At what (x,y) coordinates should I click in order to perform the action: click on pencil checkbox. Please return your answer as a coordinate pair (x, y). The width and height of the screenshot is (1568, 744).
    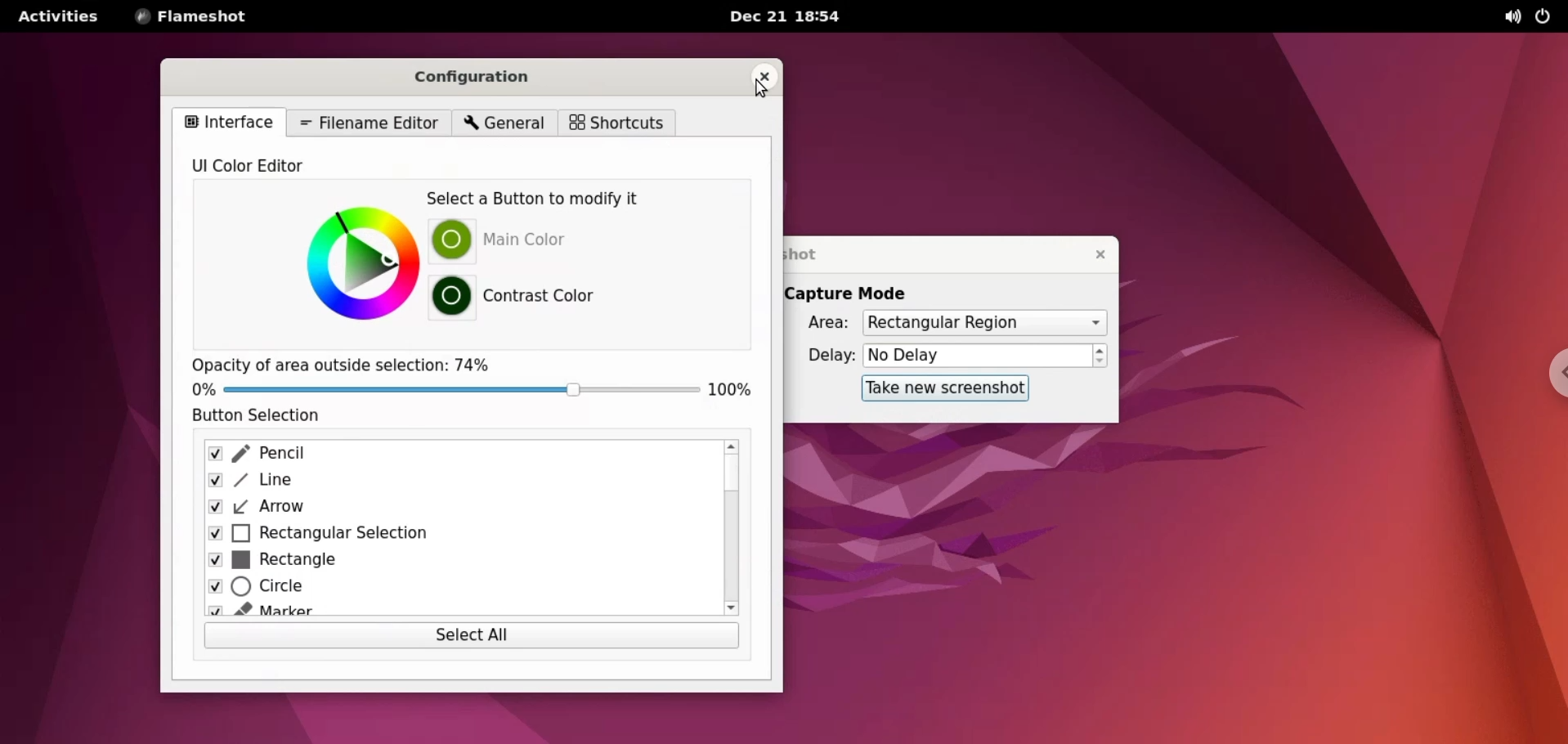
    Looking at the image, I should click on (452, 453).